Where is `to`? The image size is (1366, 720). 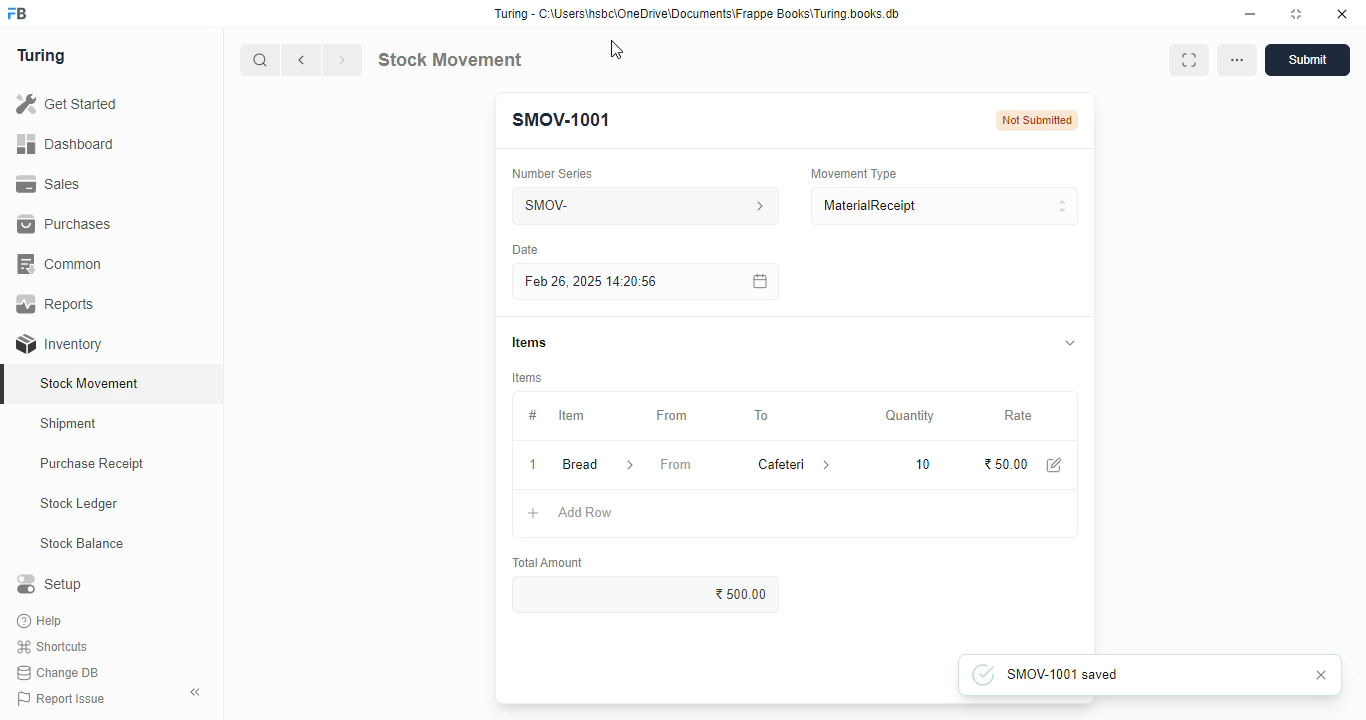 to is located at coordinates (763, 416).